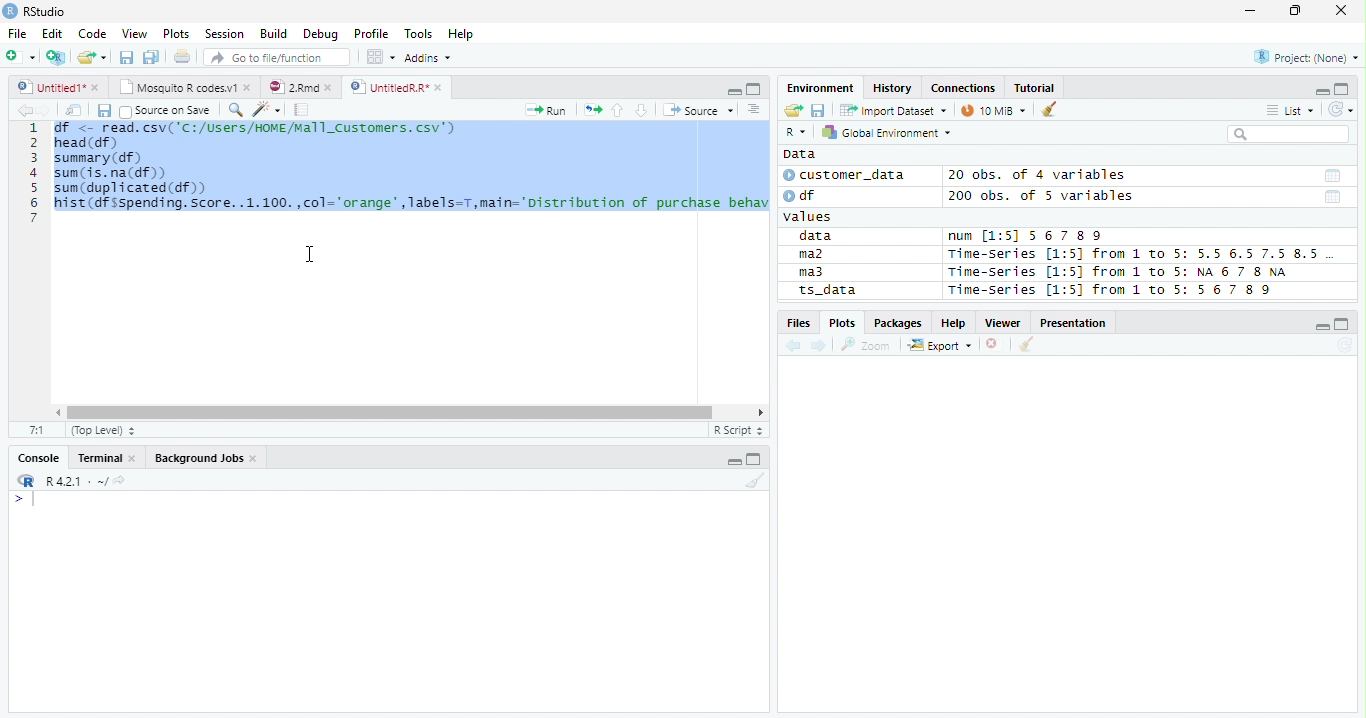 The image size is (1366, 718). What do you see at coordinates (1026, 236) in the screenshot?
I see `num [1:5] 567 89` at bounding box center [1026, 236].